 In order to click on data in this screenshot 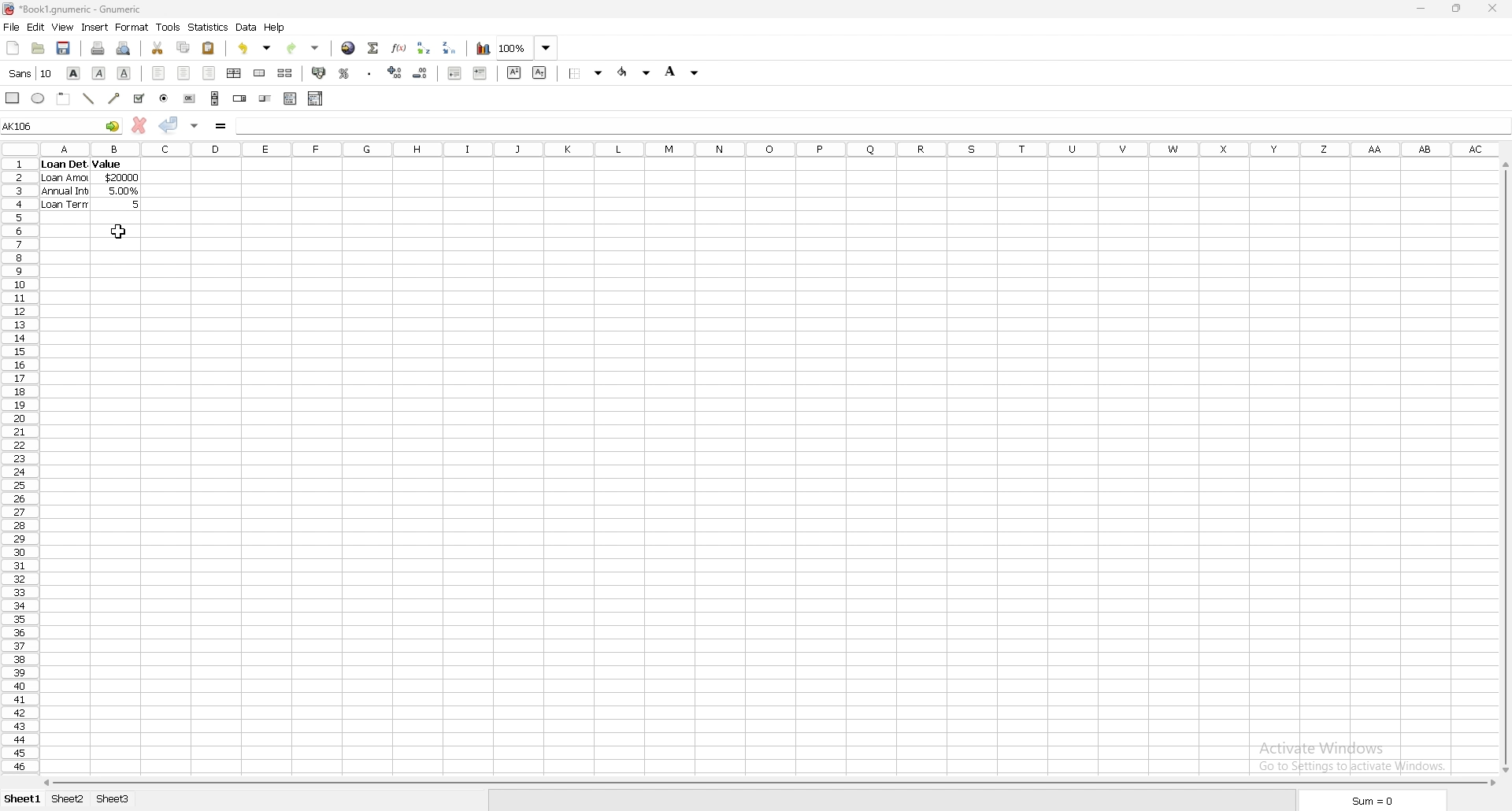, I will do `click(247, 28)`.